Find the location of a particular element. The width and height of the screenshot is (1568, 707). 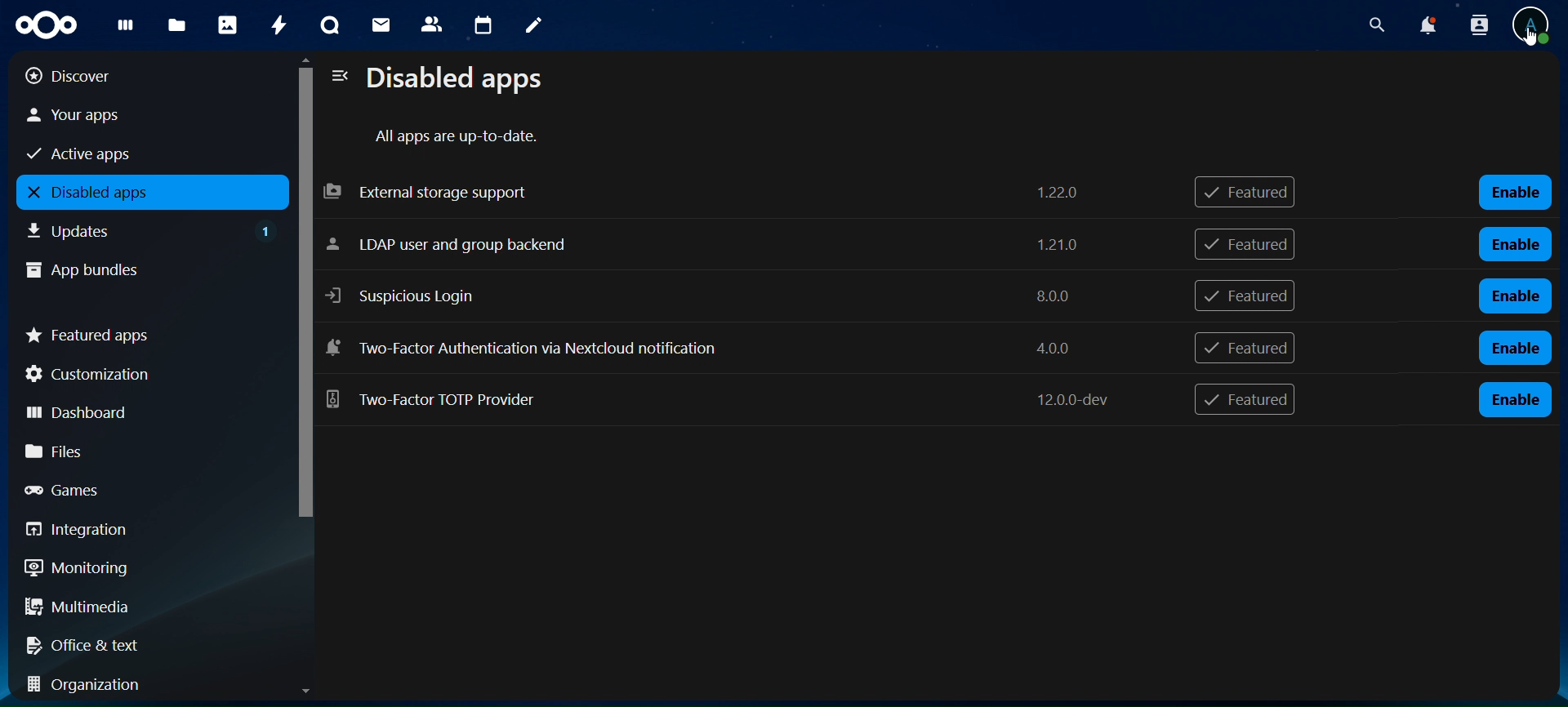

enable is located at coordinates (1515, 295).